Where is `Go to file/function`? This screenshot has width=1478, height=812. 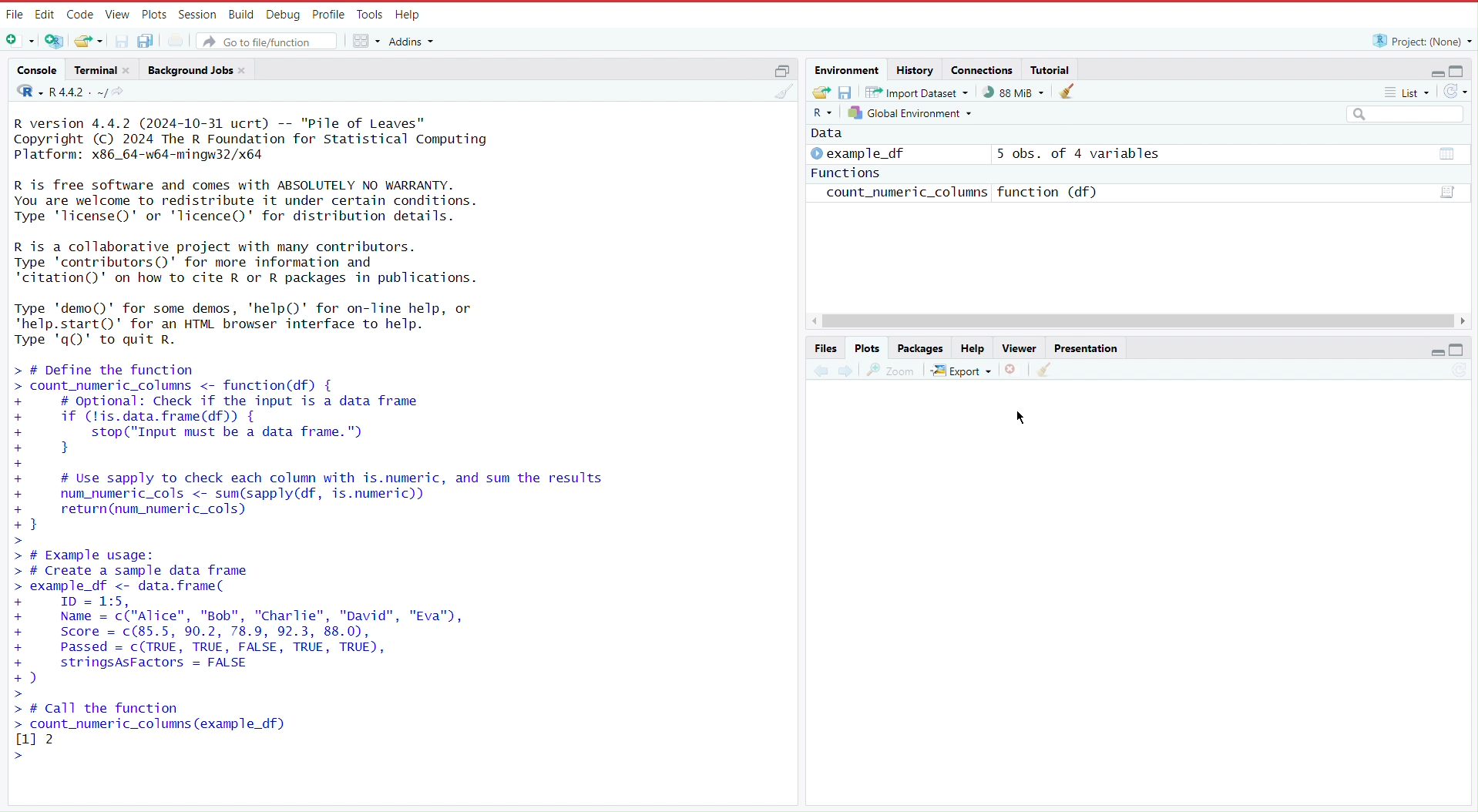
Go to file/function is located at coordinates (268, 39).